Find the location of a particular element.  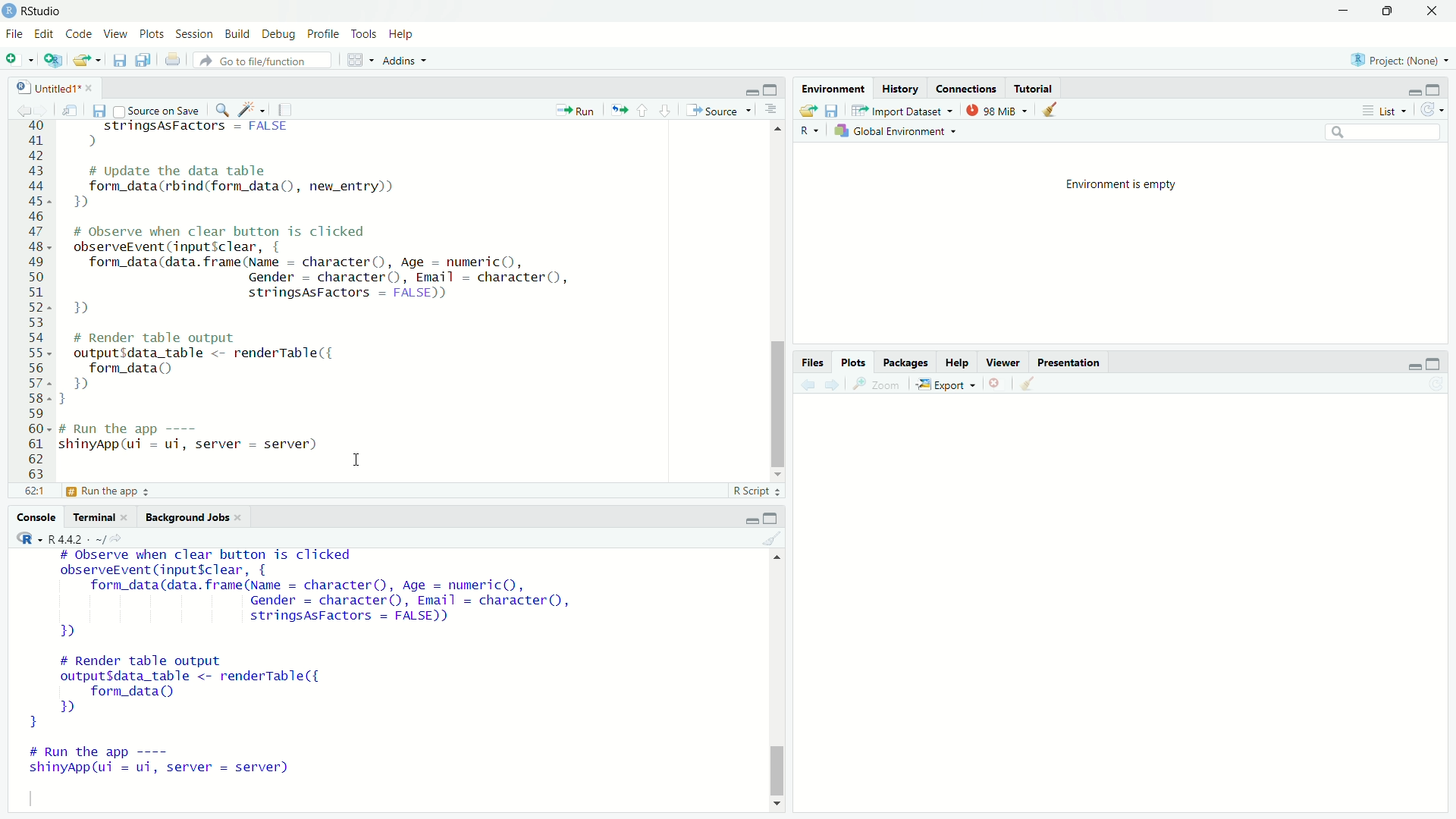

print the current file is located at coordinates (171, 60).